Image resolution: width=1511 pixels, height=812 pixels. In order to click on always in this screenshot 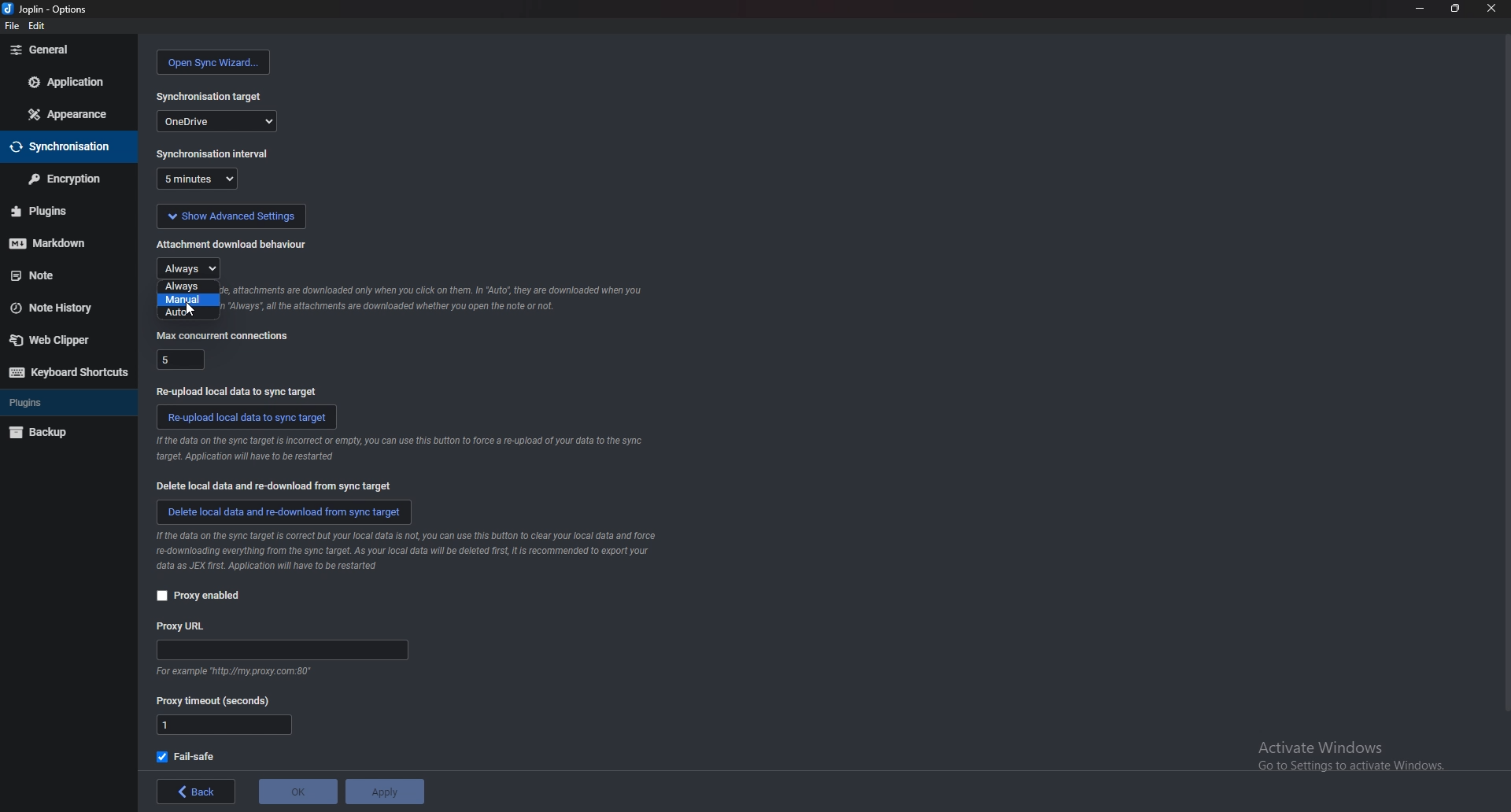, I will do `click(189, 287)`.